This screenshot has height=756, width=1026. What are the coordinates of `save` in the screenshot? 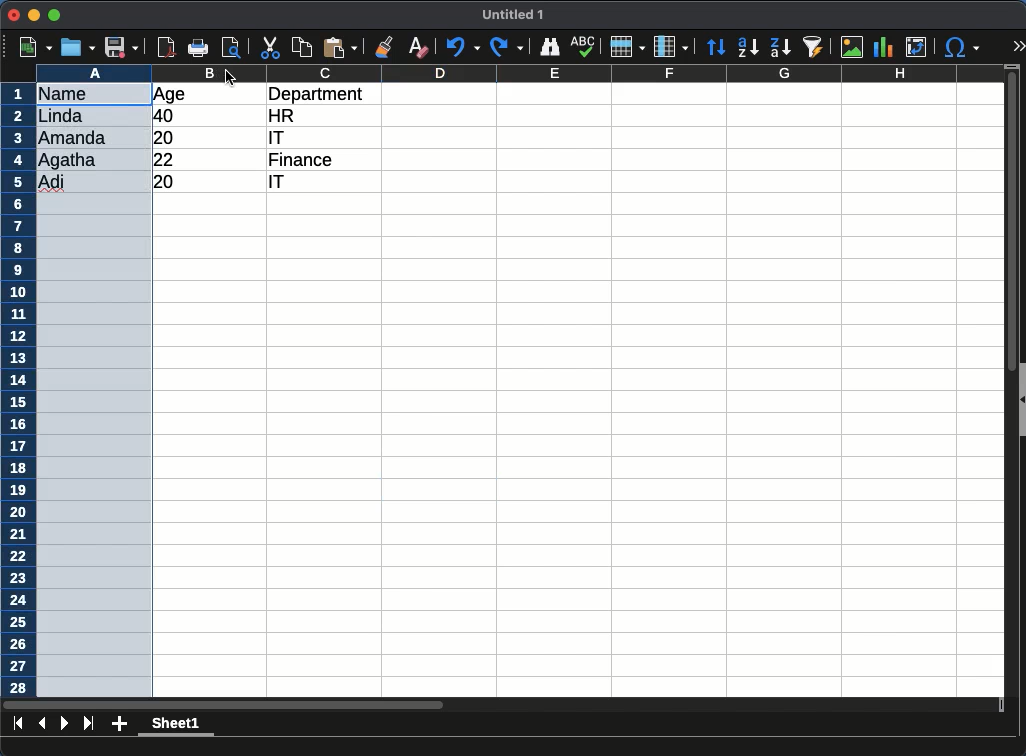 It's located at (122, 47).